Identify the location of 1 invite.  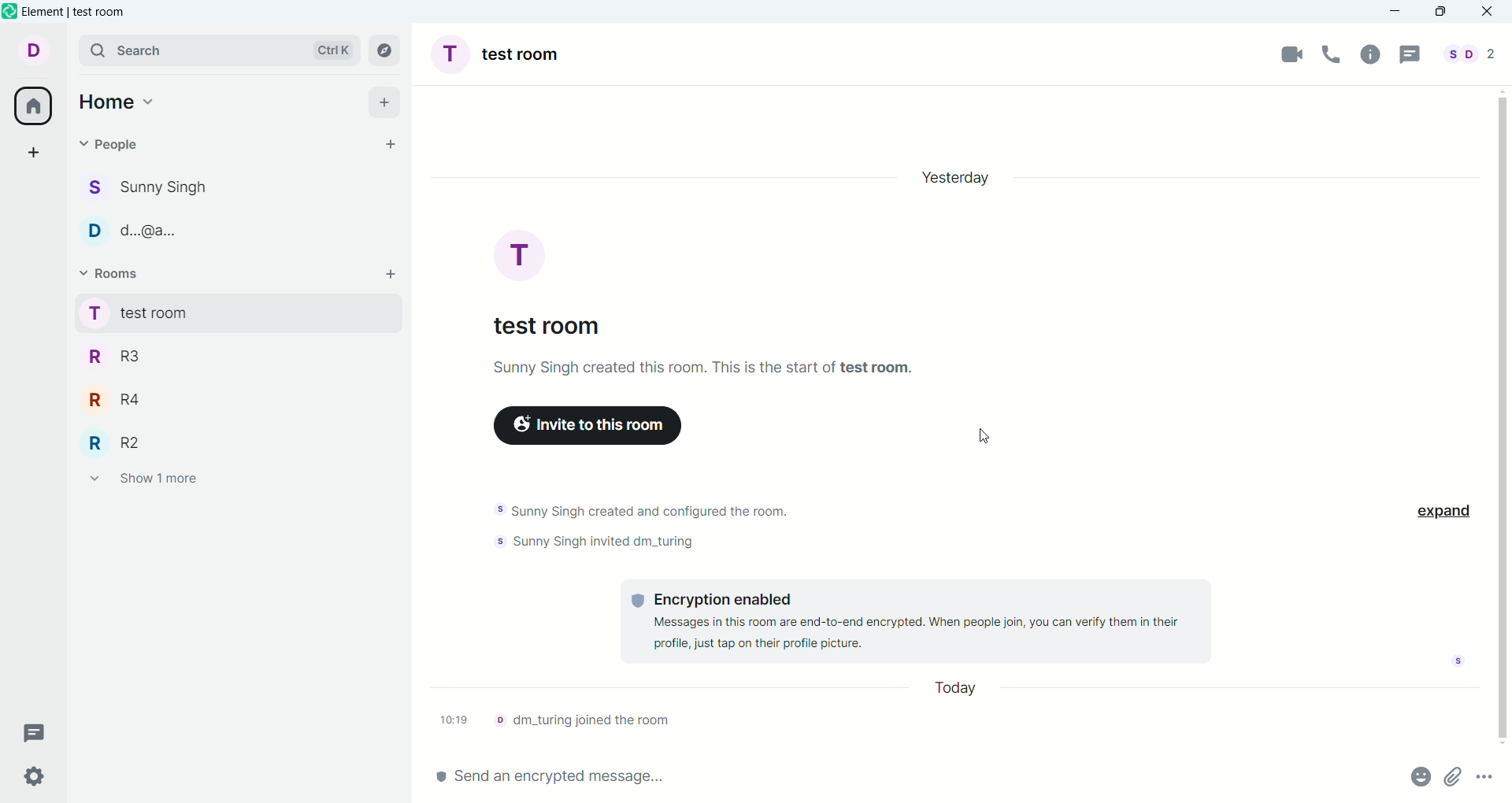
(390, 144).